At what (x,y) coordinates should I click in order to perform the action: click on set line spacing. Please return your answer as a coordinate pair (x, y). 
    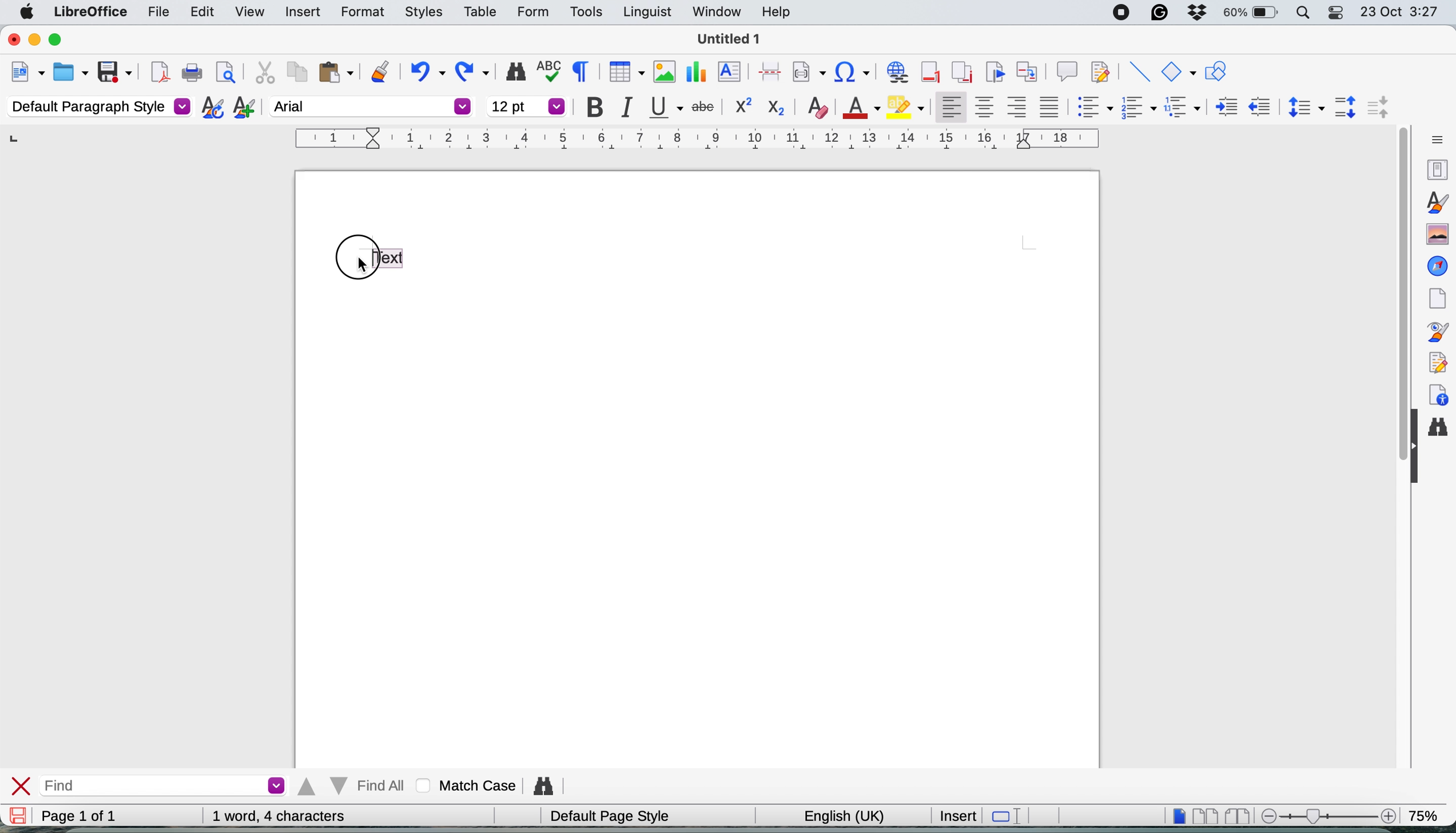
    Looking at the image, I should click on (1304, 107).